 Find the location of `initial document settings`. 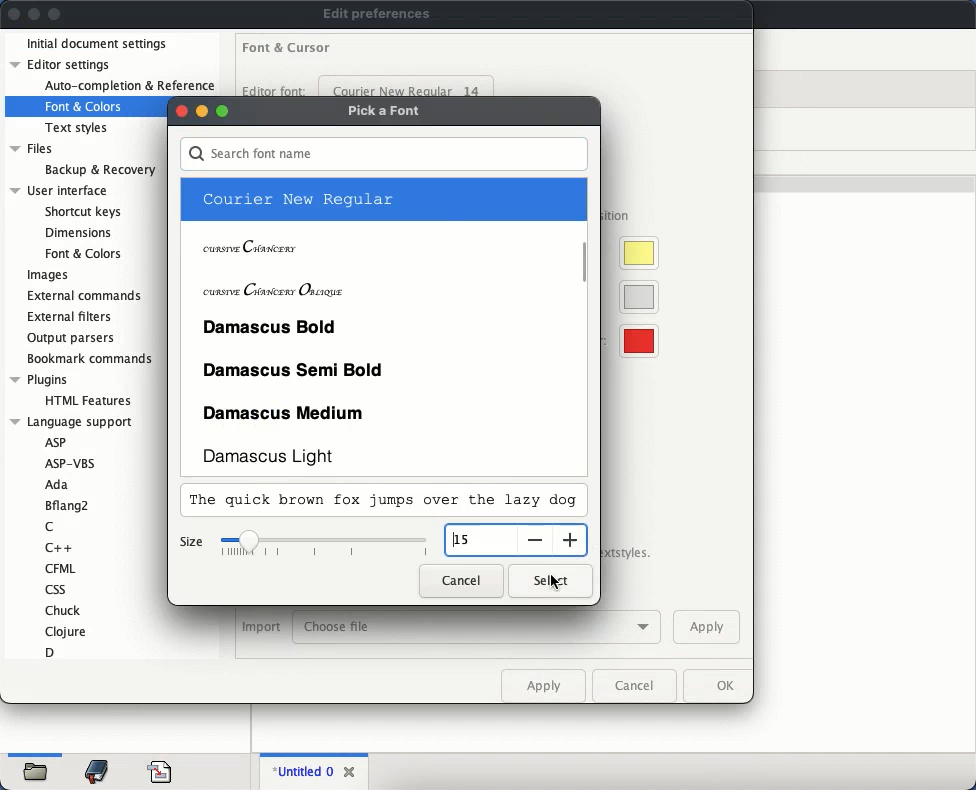

initial document settings is located at coordinates (98, 45).